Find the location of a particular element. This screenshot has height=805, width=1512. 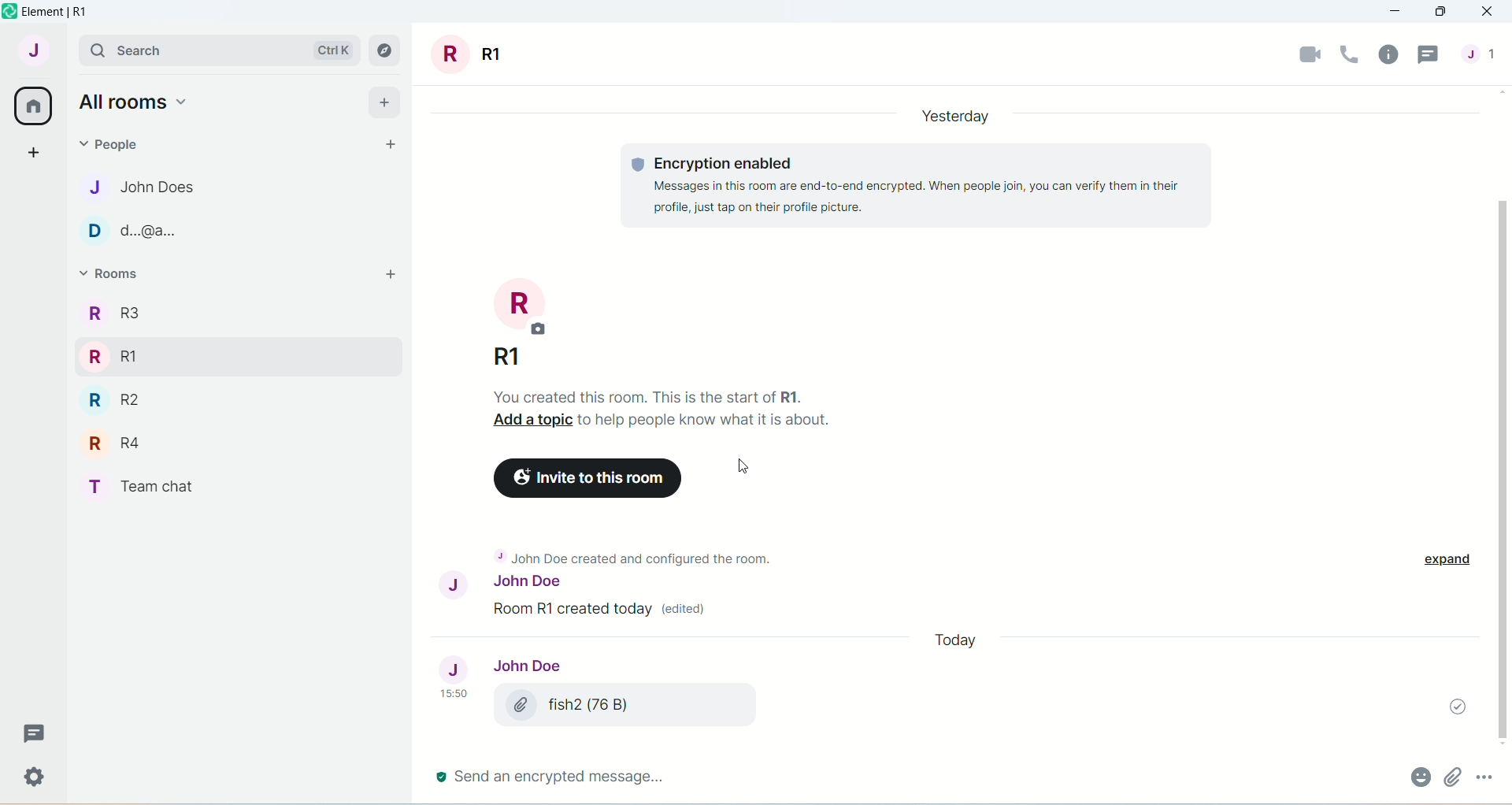

add is located at coordinates (391, 275).